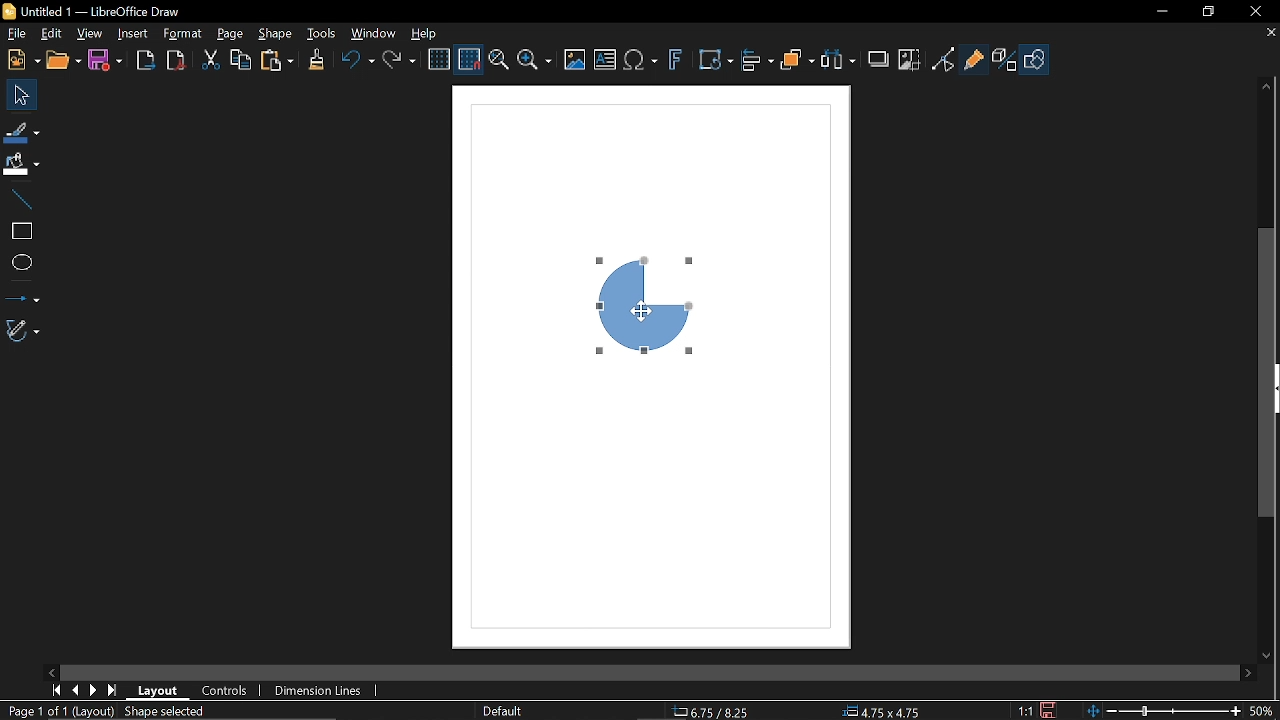 The width and height of the screenshot is (1280, 720). I want to click on Controls, so click(226, 691).